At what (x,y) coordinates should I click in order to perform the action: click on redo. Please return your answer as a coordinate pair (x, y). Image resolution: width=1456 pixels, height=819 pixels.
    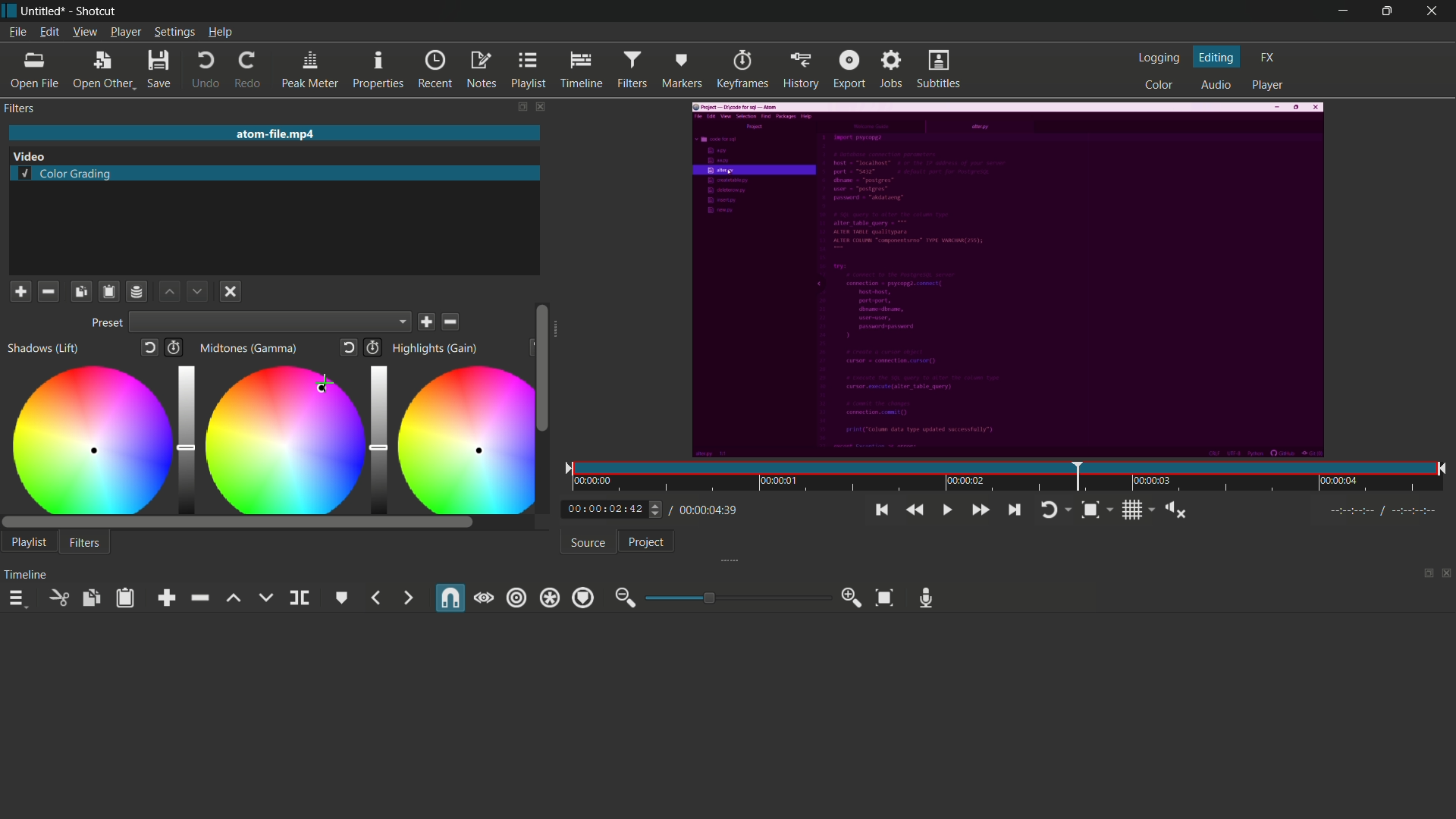
    Looking at the image, I should click on (249, 71).